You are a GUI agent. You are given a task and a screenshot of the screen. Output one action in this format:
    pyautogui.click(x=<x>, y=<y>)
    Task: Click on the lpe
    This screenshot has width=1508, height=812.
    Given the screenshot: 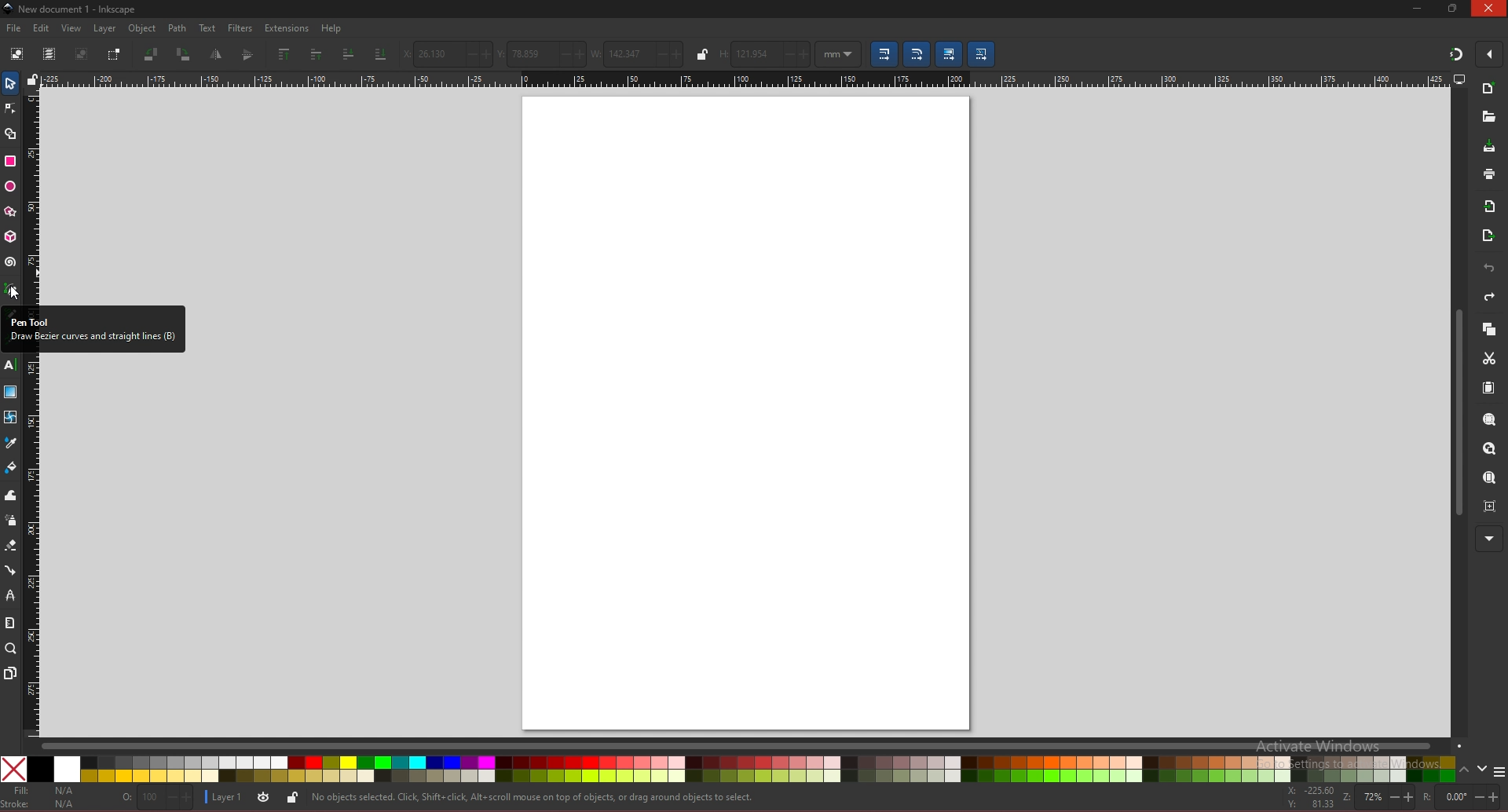 What is the action you would take?
    pyautogui.click(x=11, y=594)
    